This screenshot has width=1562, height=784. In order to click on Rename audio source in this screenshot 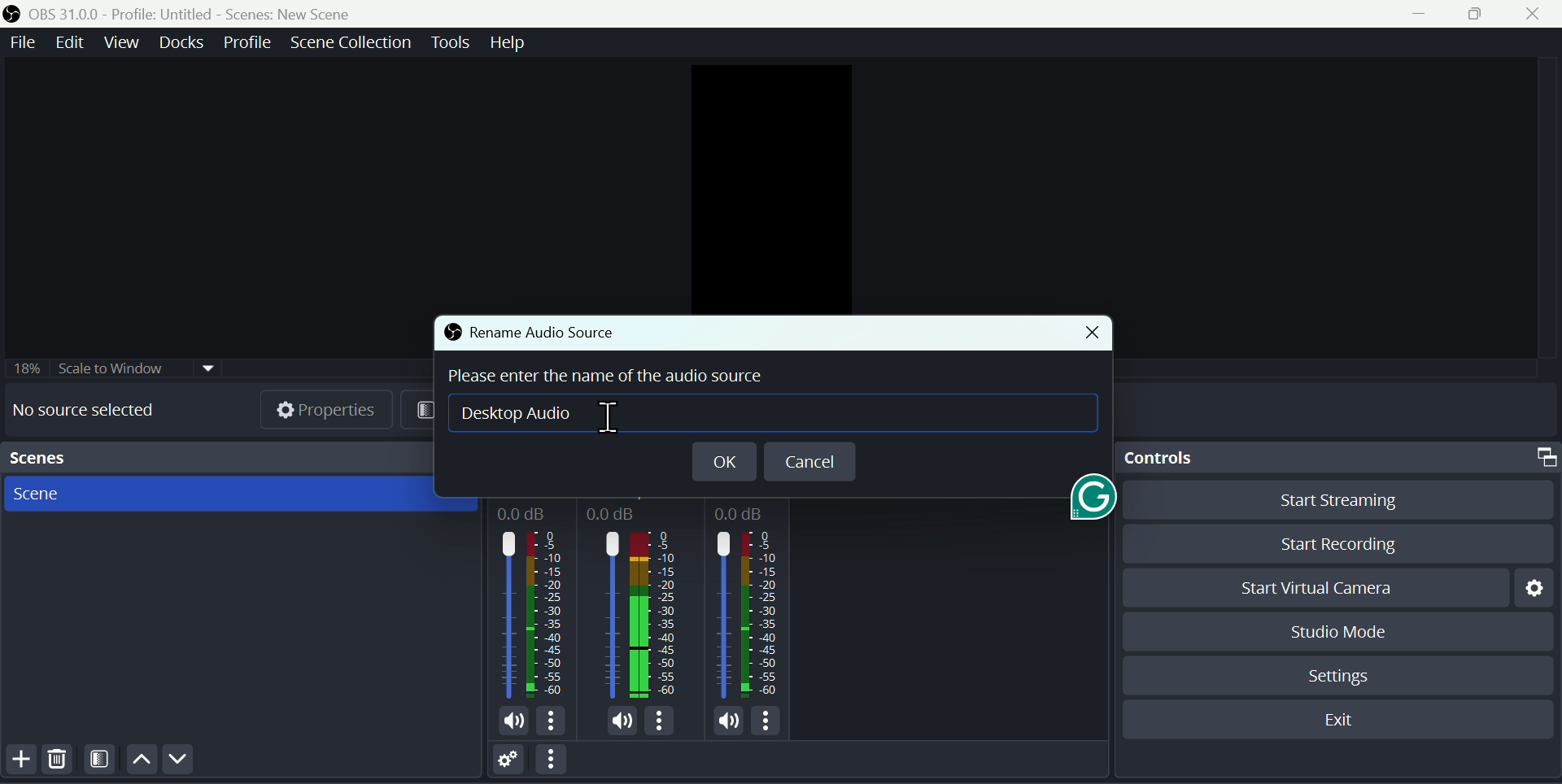, I will do `click(528, 332)`.